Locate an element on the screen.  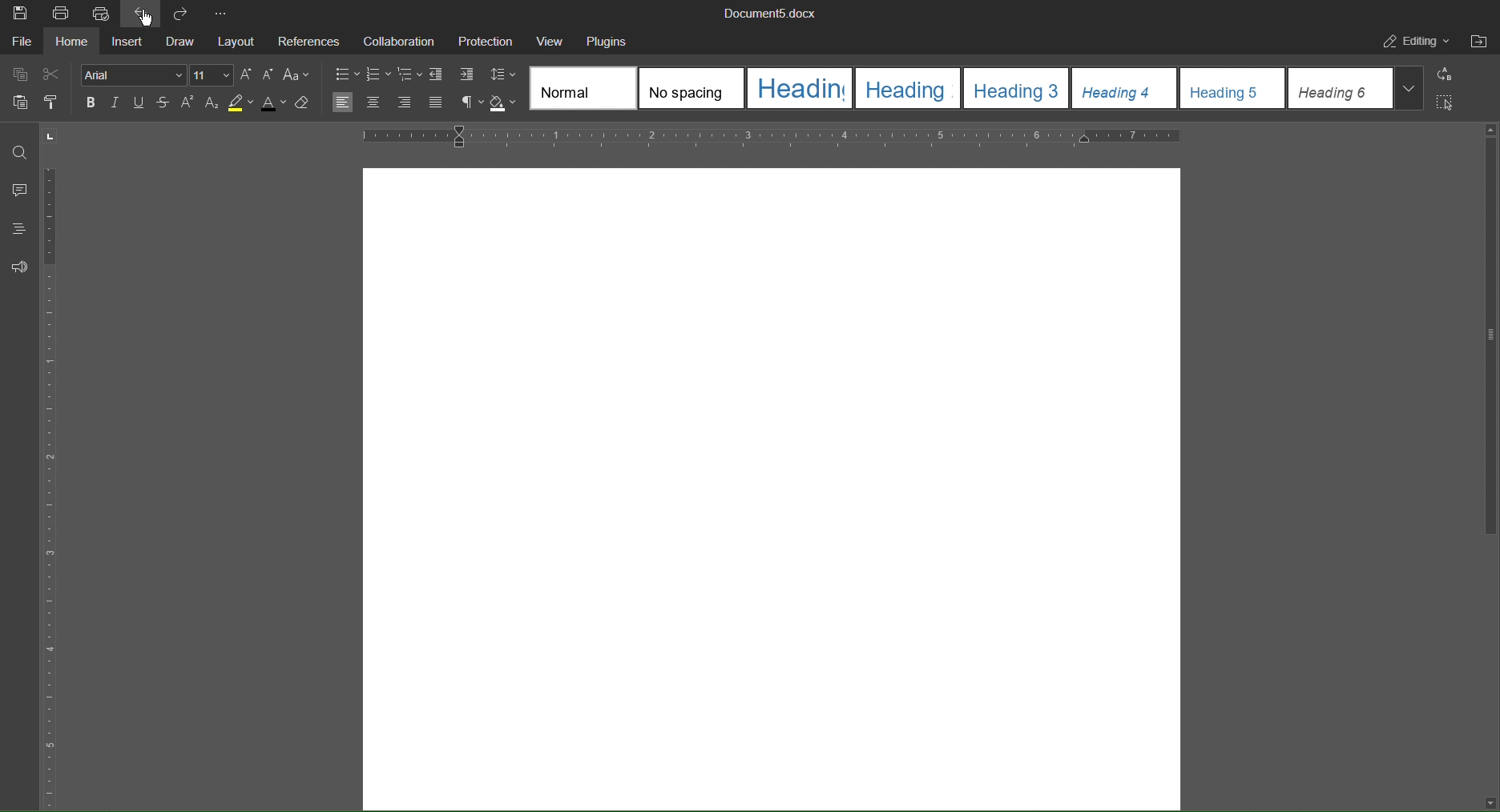
Horizontal Ruler is located at coordinates (775, 135).